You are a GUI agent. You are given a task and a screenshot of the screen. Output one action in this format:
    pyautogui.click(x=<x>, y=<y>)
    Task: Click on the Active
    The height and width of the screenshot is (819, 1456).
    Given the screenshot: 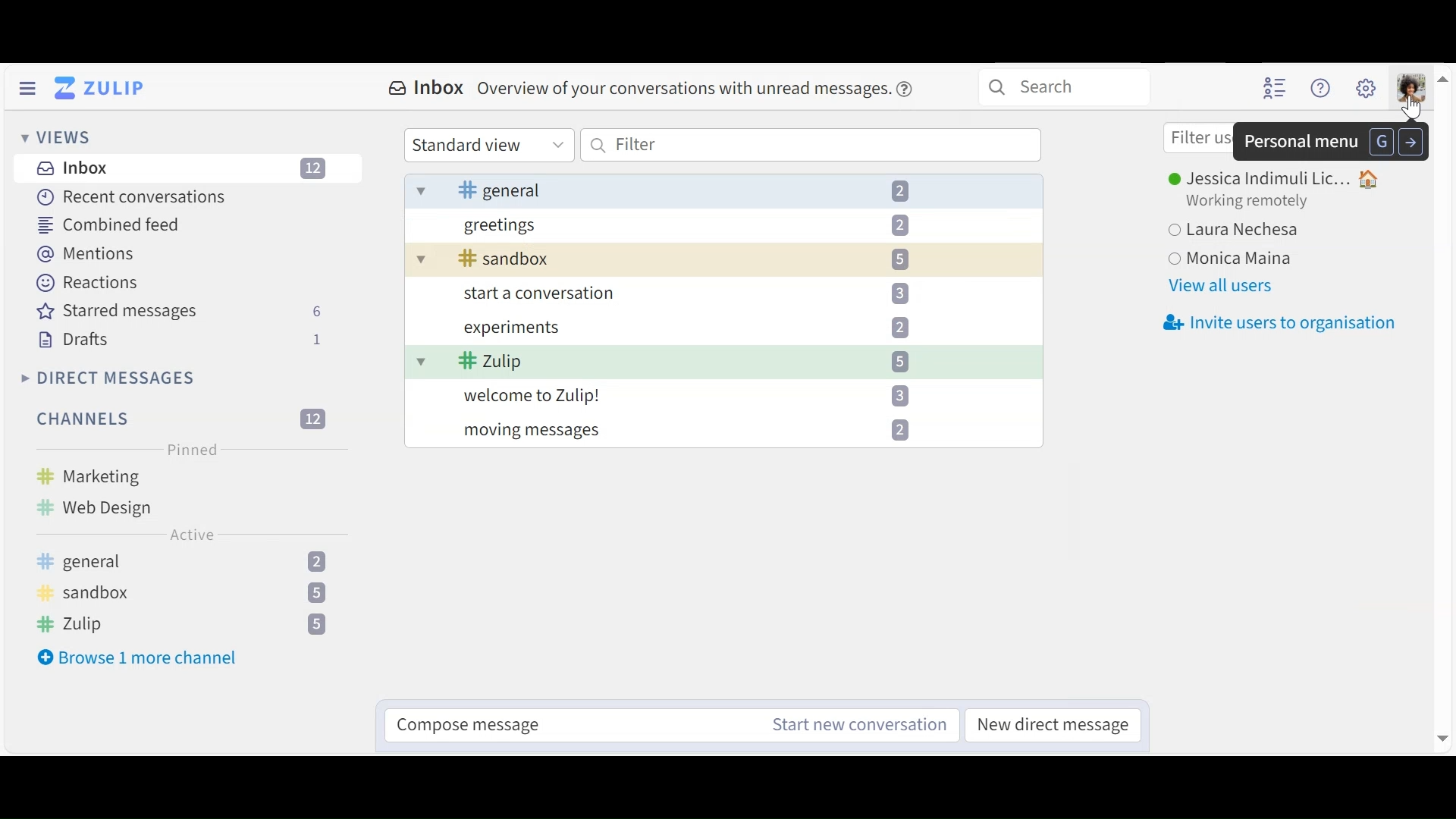 What is the action you would take?
    pyautogui.click(x=189, y=535)
    